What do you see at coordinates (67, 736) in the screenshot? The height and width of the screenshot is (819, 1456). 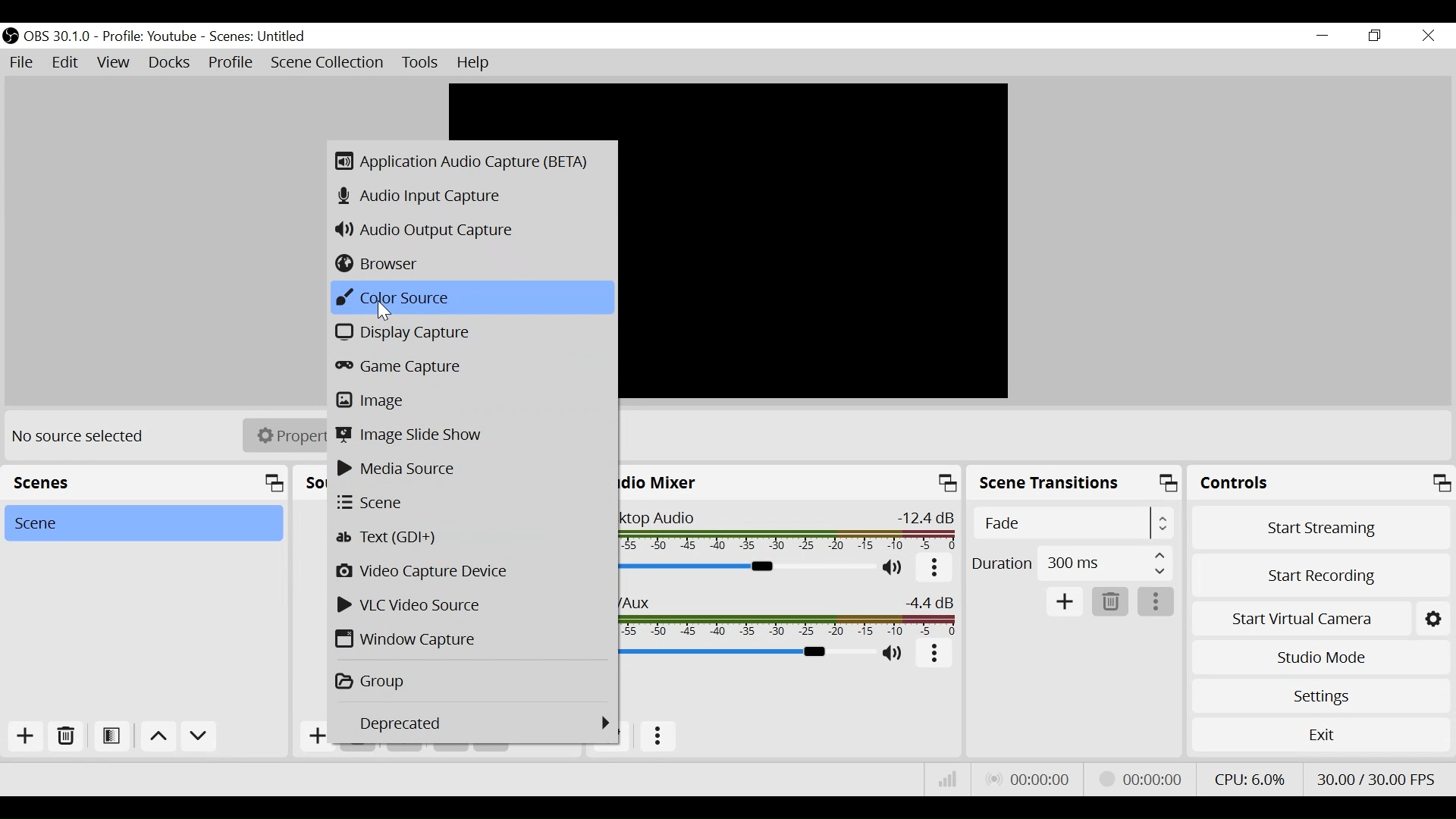 I see `Delete` at bounding box center [67, 736].